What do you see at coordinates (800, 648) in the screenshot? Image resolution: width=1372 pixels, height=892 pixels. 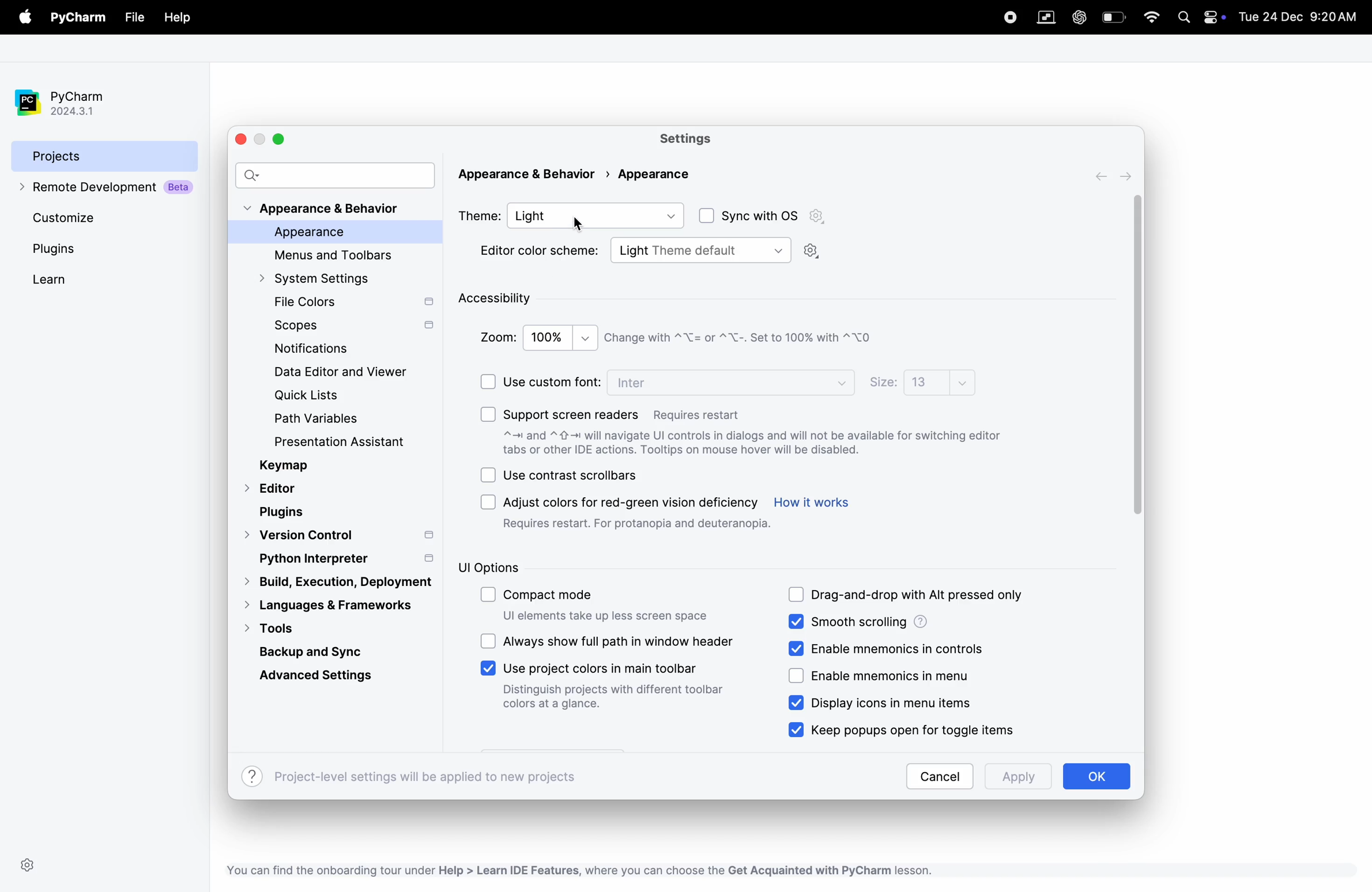 I see `checkbox` at bounding box center [800, 648].